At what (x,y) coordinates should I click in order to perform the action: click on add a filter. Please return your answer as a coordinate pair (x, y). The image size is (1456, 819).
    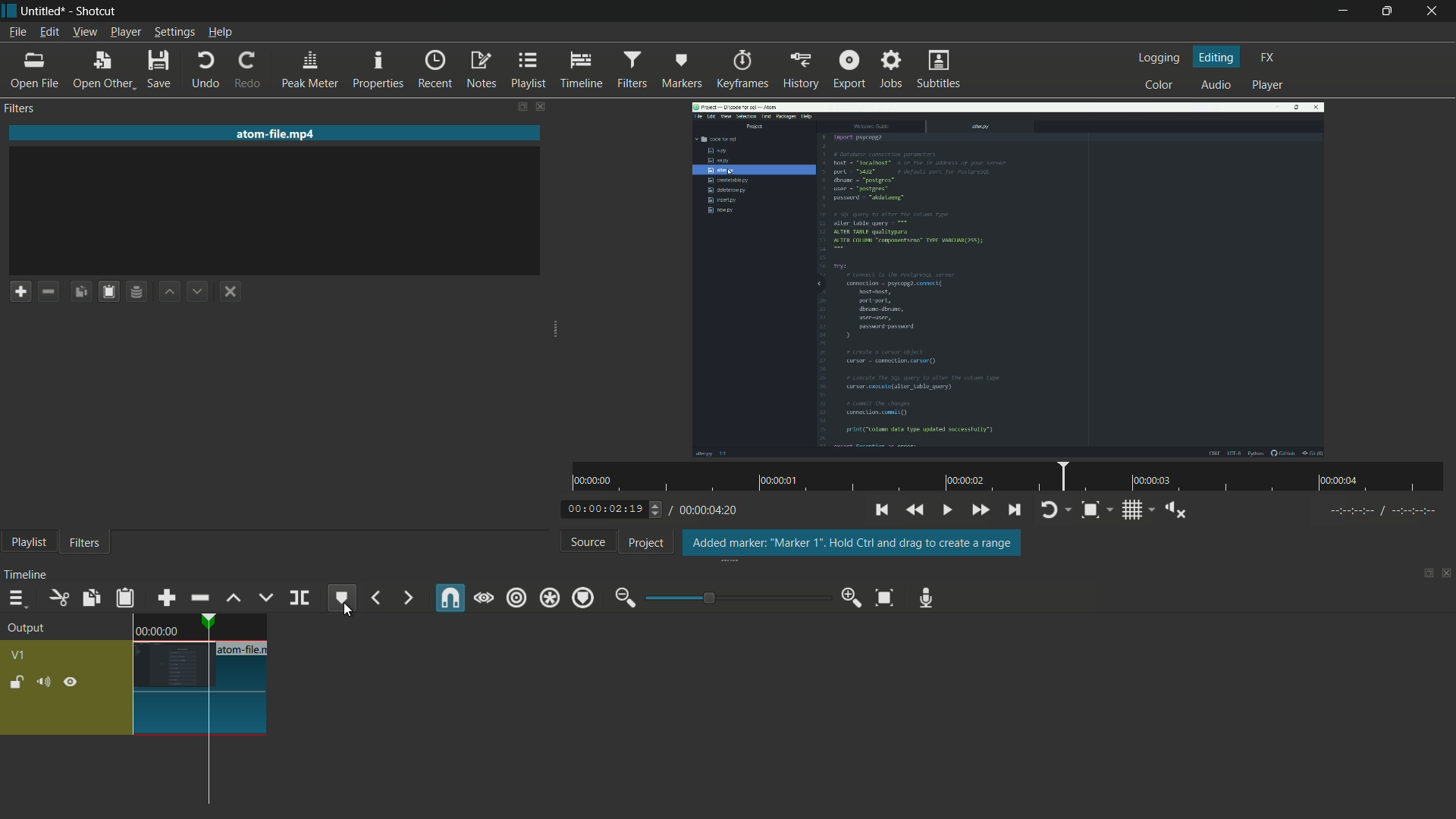
    Looking at the image, I should click on (20, 291).